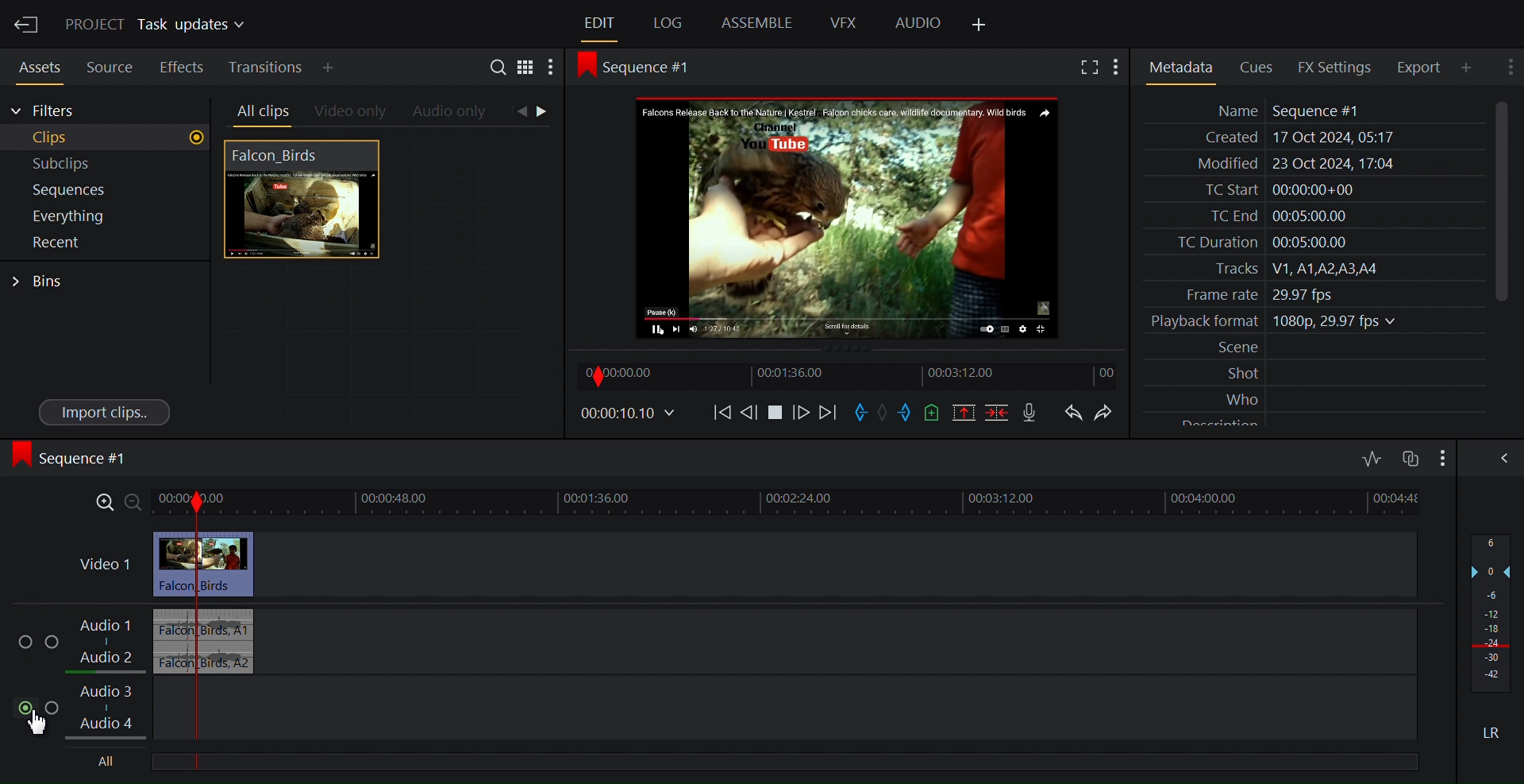  I want to click on Play, so click(778, 415).